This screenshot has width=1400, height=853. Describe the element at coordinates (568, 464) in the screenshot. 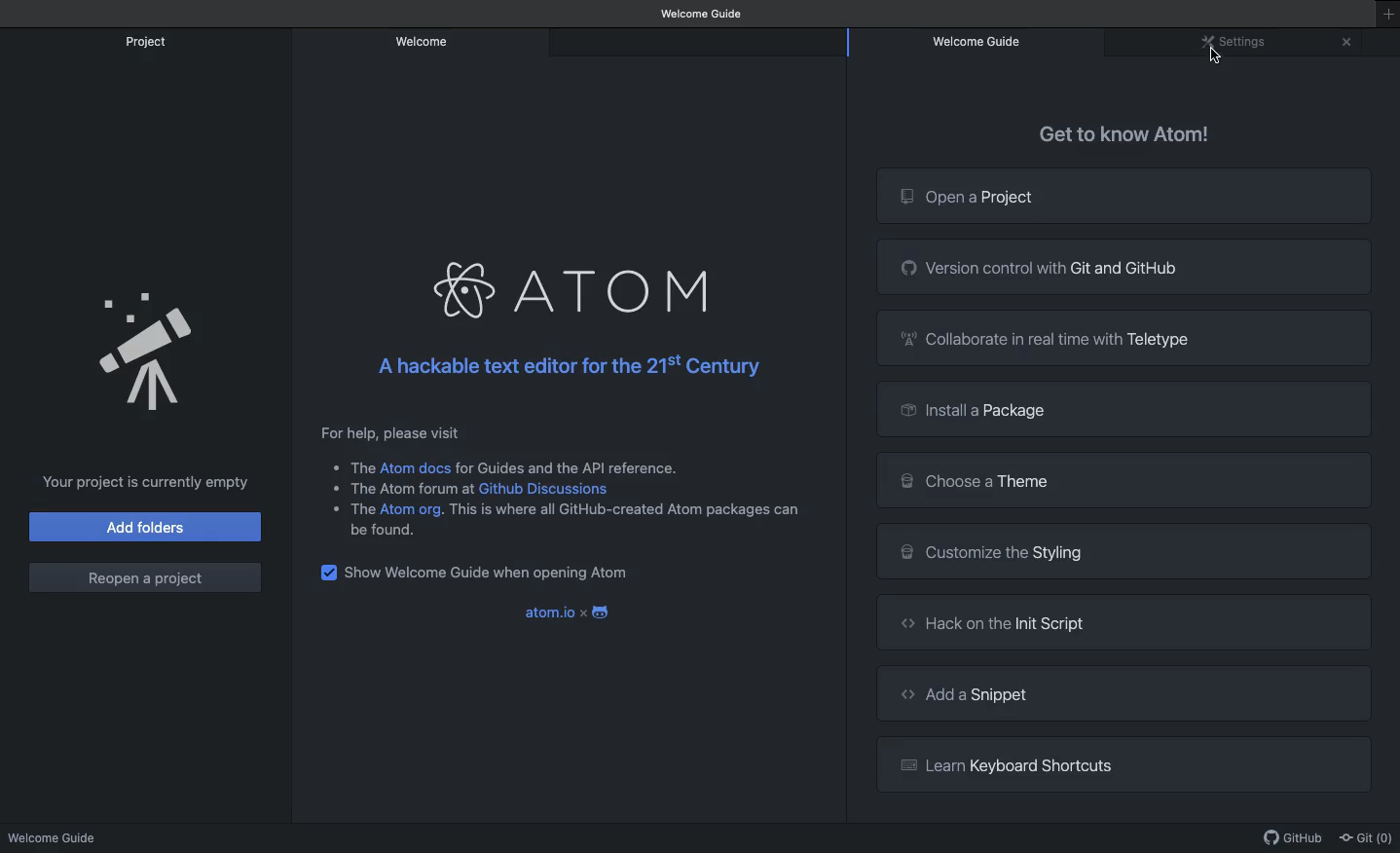

I see `for guides and the API reference.` at that location.